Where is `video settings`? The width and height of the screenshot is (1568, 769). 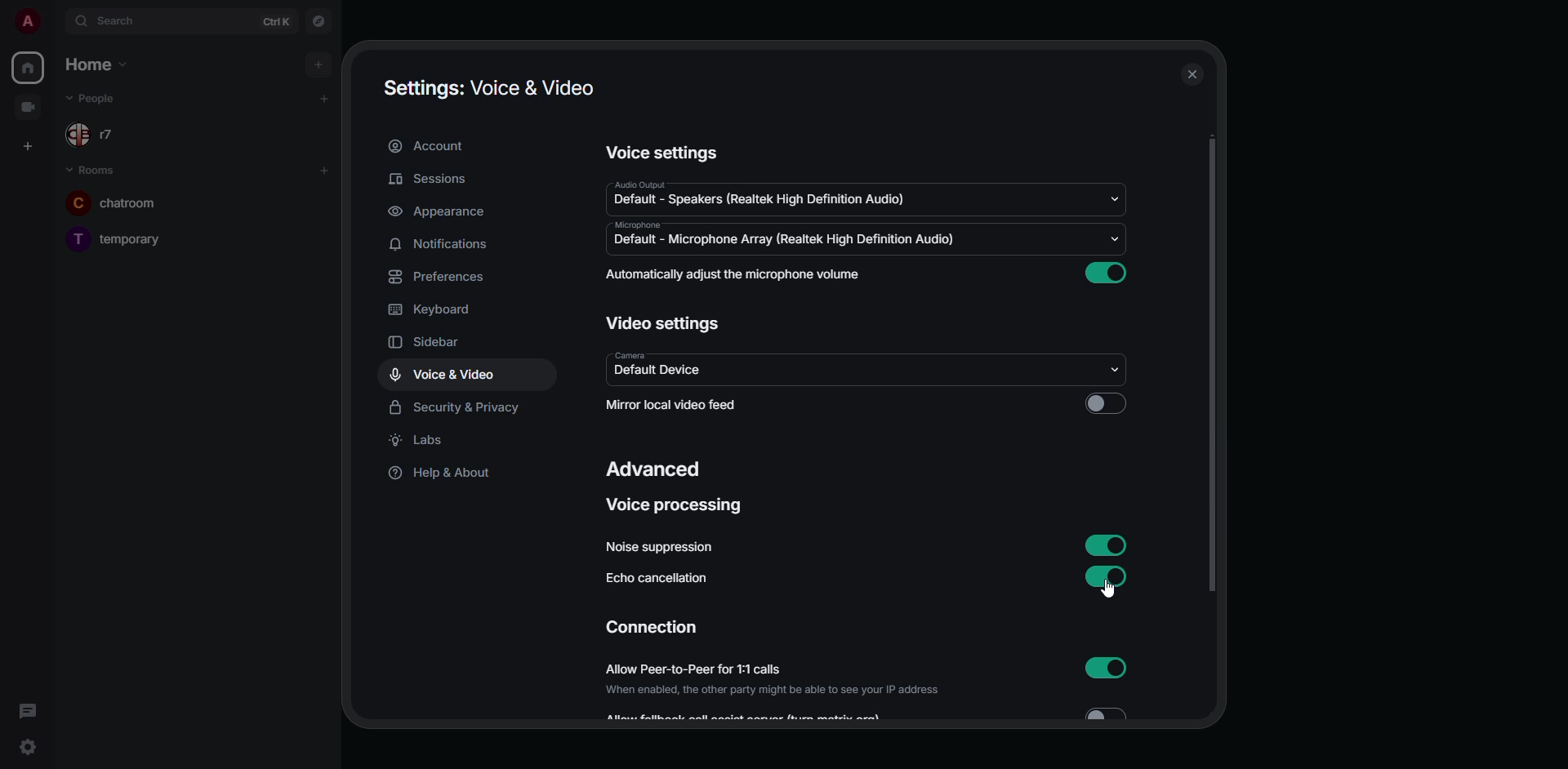
video settings is located at coordinates (663, 322).